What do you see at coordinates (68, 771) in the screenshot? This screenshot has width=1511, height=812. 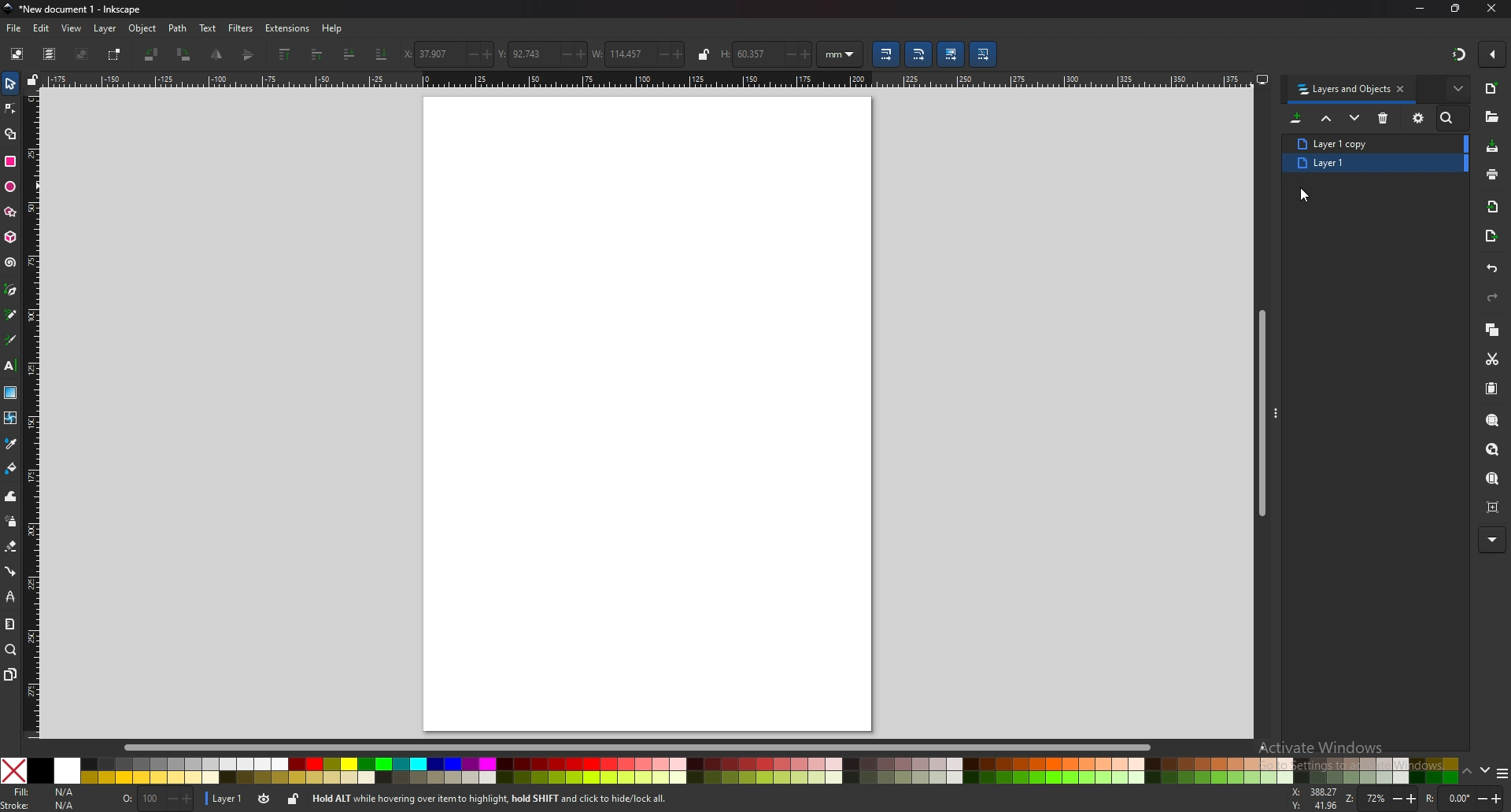 I see `white` at bounding box center [68, 771].